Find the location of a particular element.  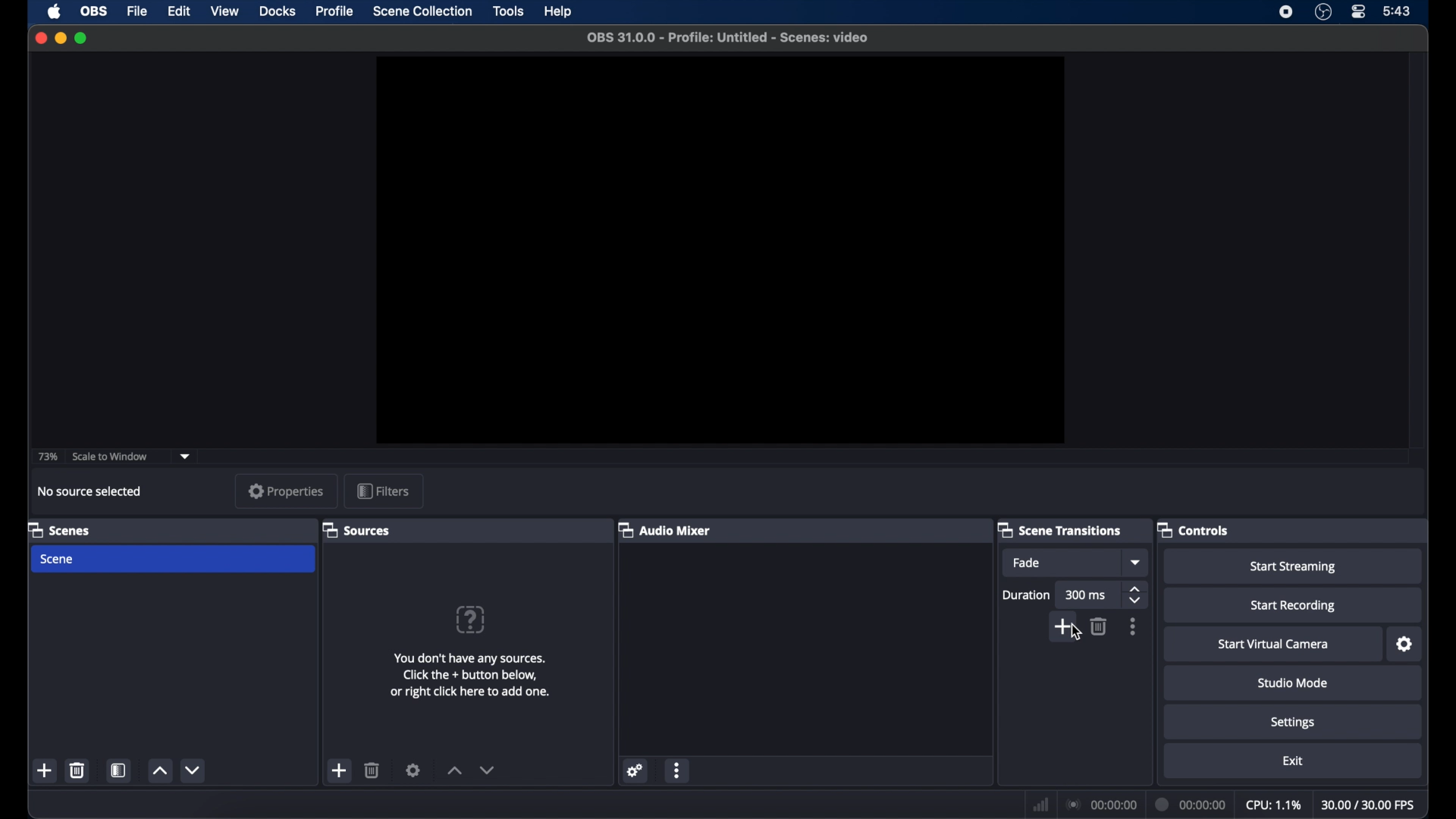

settings is located at coordinates (1292, 723).